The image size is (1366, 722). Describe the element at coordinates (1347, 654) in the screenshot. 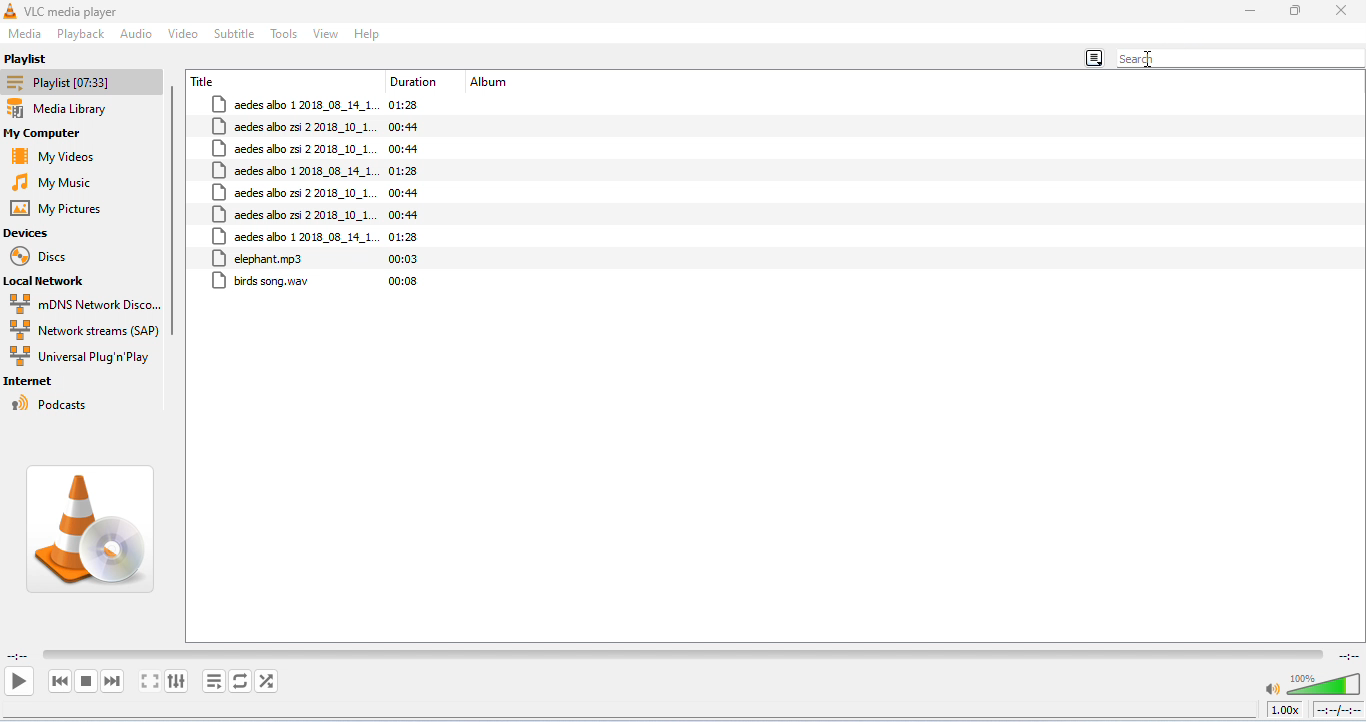

I see `remaining time` at that location.